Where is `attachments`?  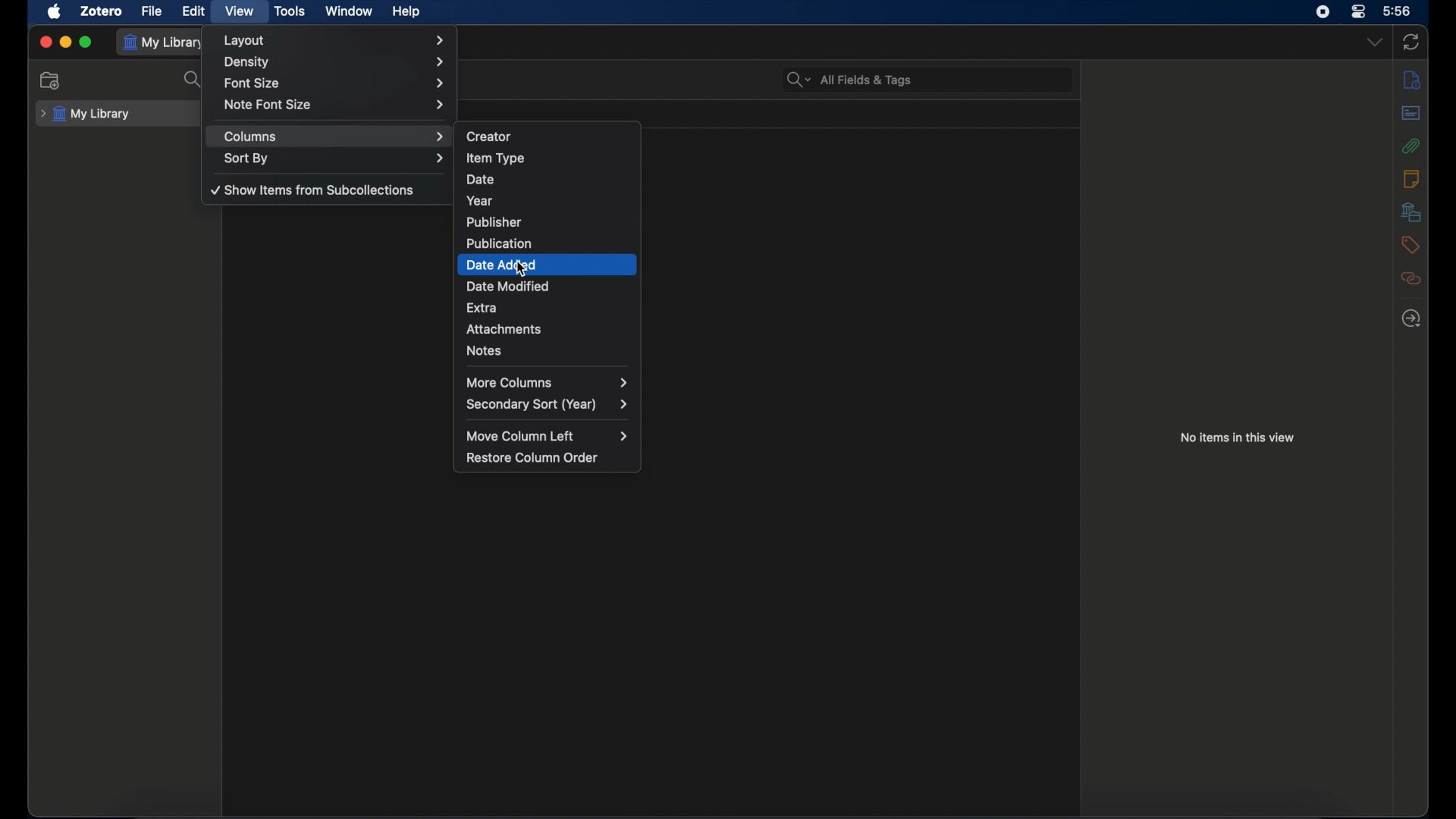
attachments is located at coordinates (551, 331).